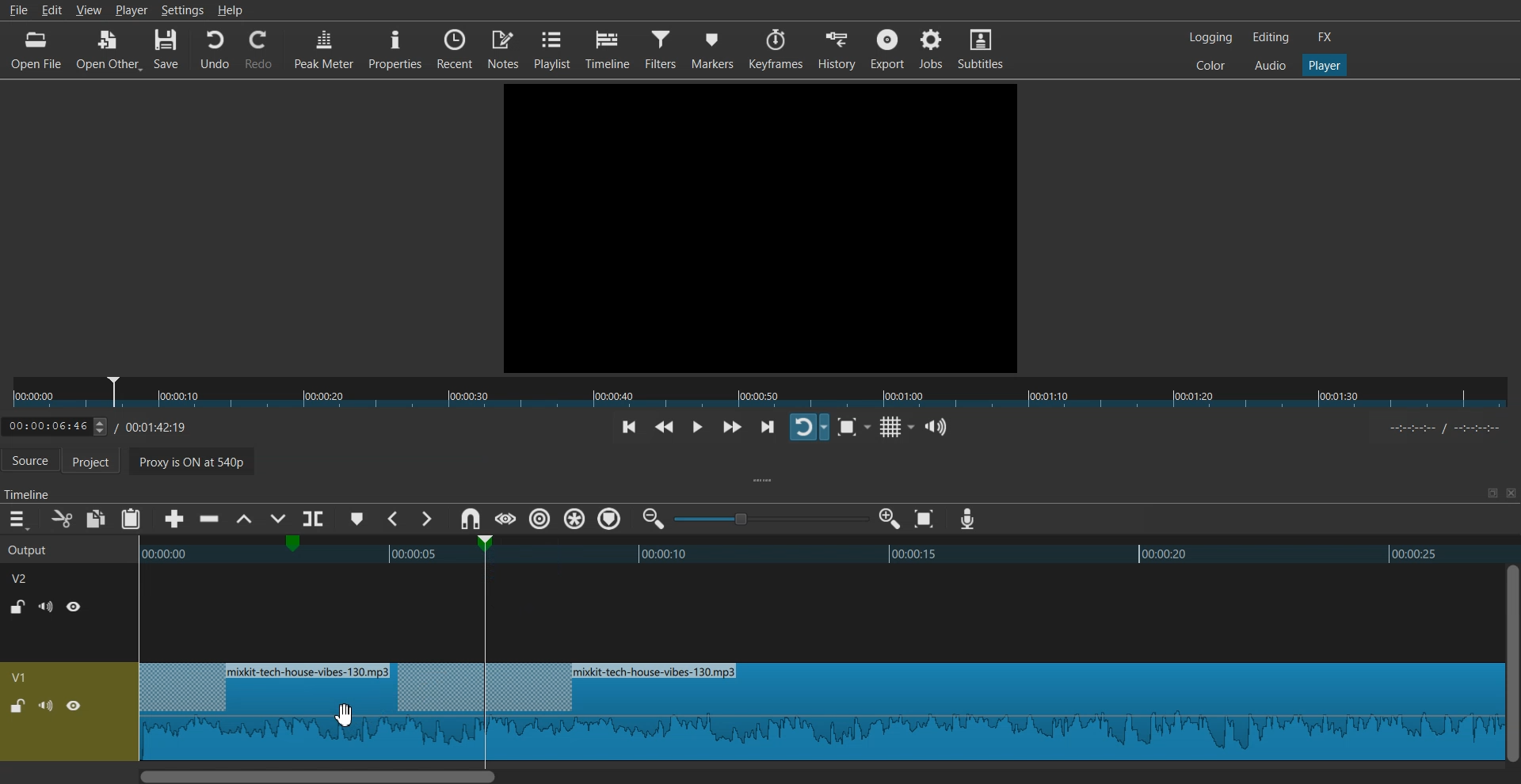 The width and height of the screenshot is (1521, 784). Describe the element at coordinates (1210, 64) in the screenshot. I see `Colors` at that location.